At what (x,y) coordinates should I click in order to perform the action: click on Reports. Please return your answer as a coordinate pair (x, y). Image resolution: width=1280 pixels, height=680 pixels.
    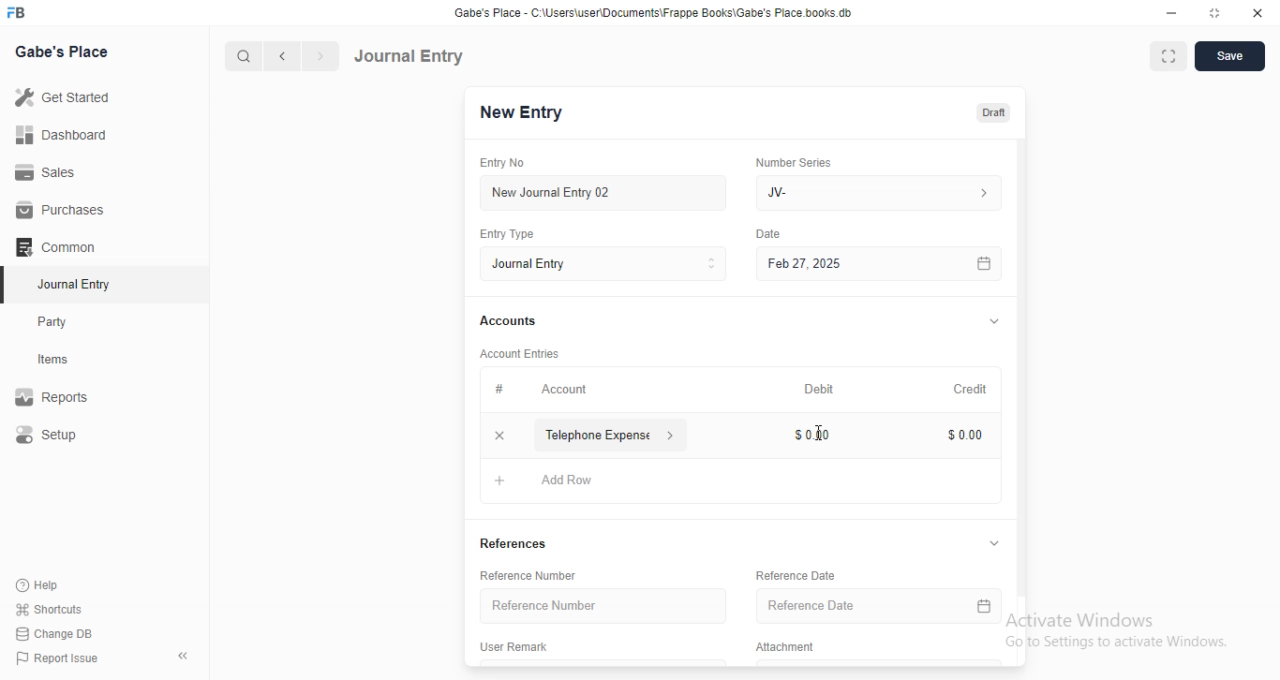
    Looking at the image, I should click on (53, 394).